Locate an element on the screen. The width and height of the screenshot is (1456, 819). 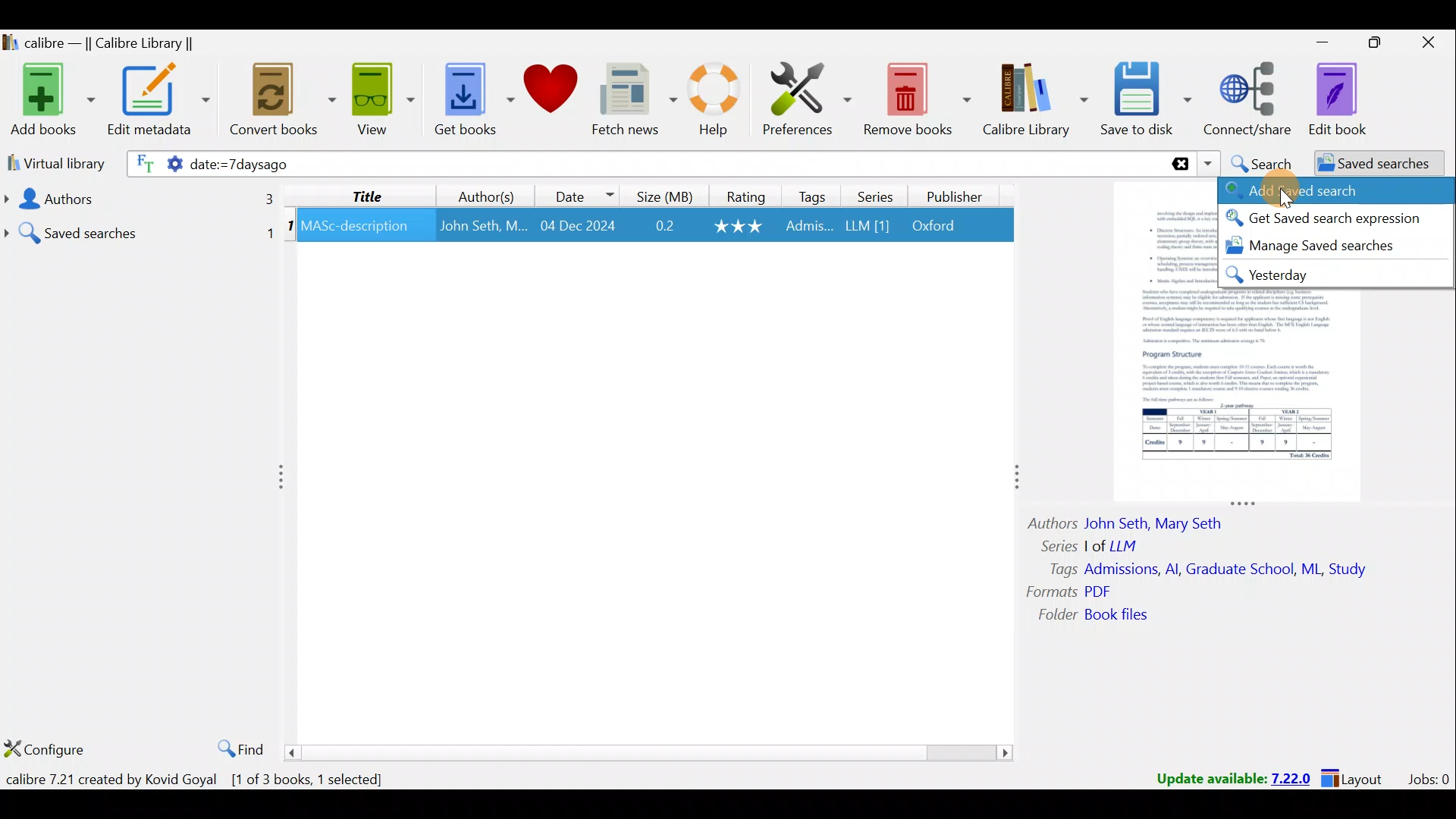
Book preview is located at coordinates (1257, 399).